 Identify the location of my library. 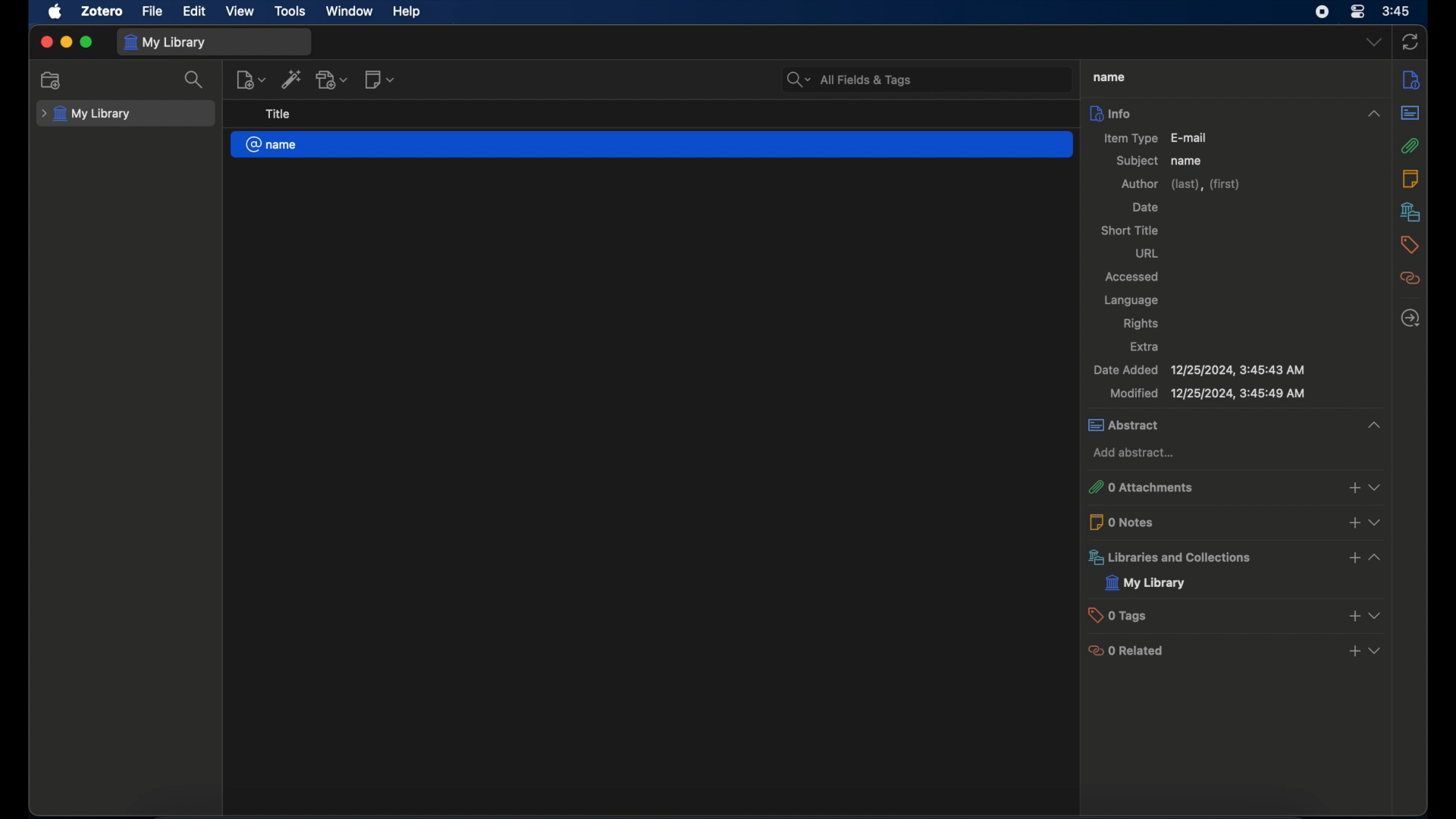
(86, 114).